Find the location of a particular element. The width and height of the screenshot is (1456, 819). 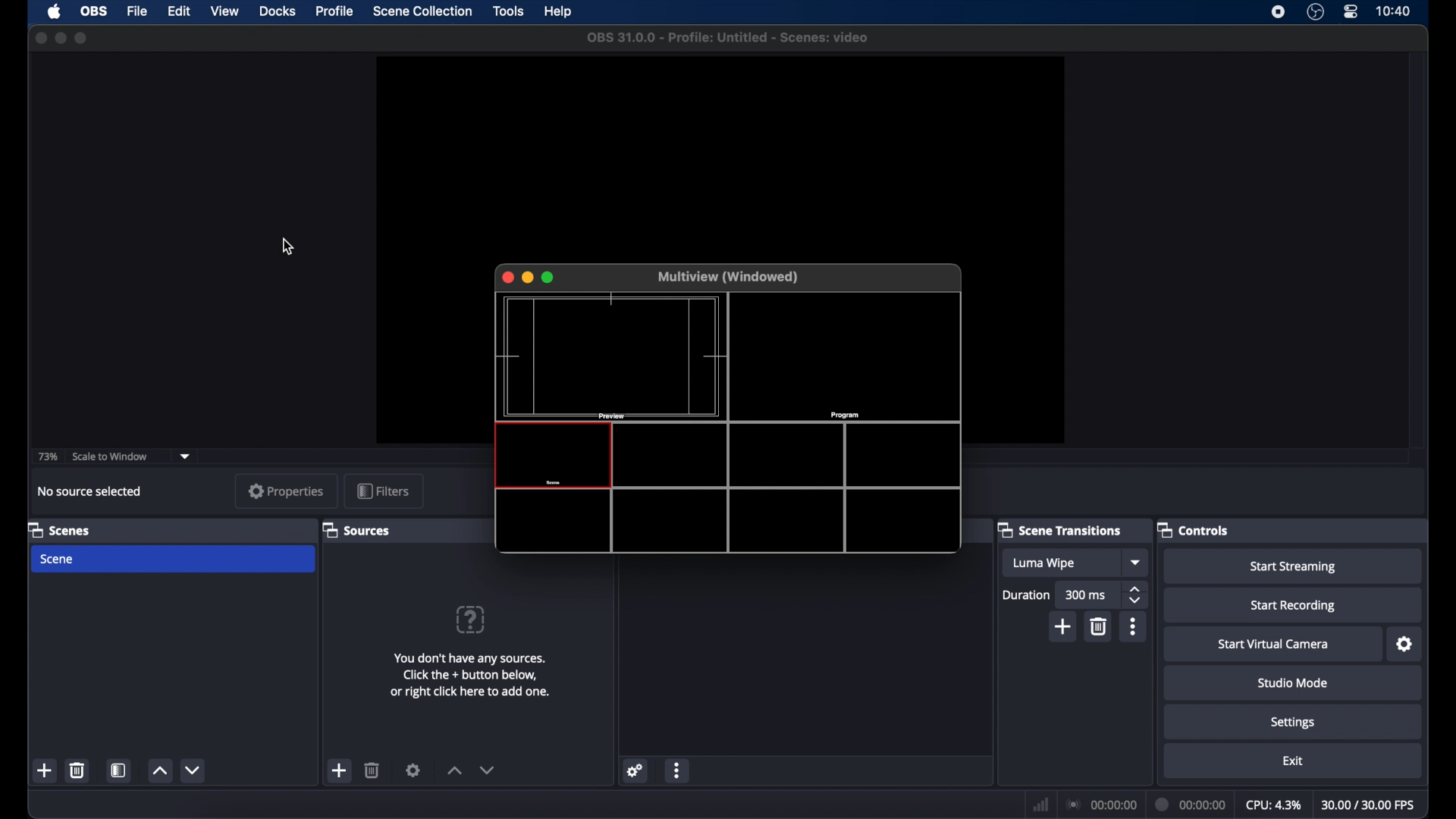

300 ms is located at coordinates (1087, 595).